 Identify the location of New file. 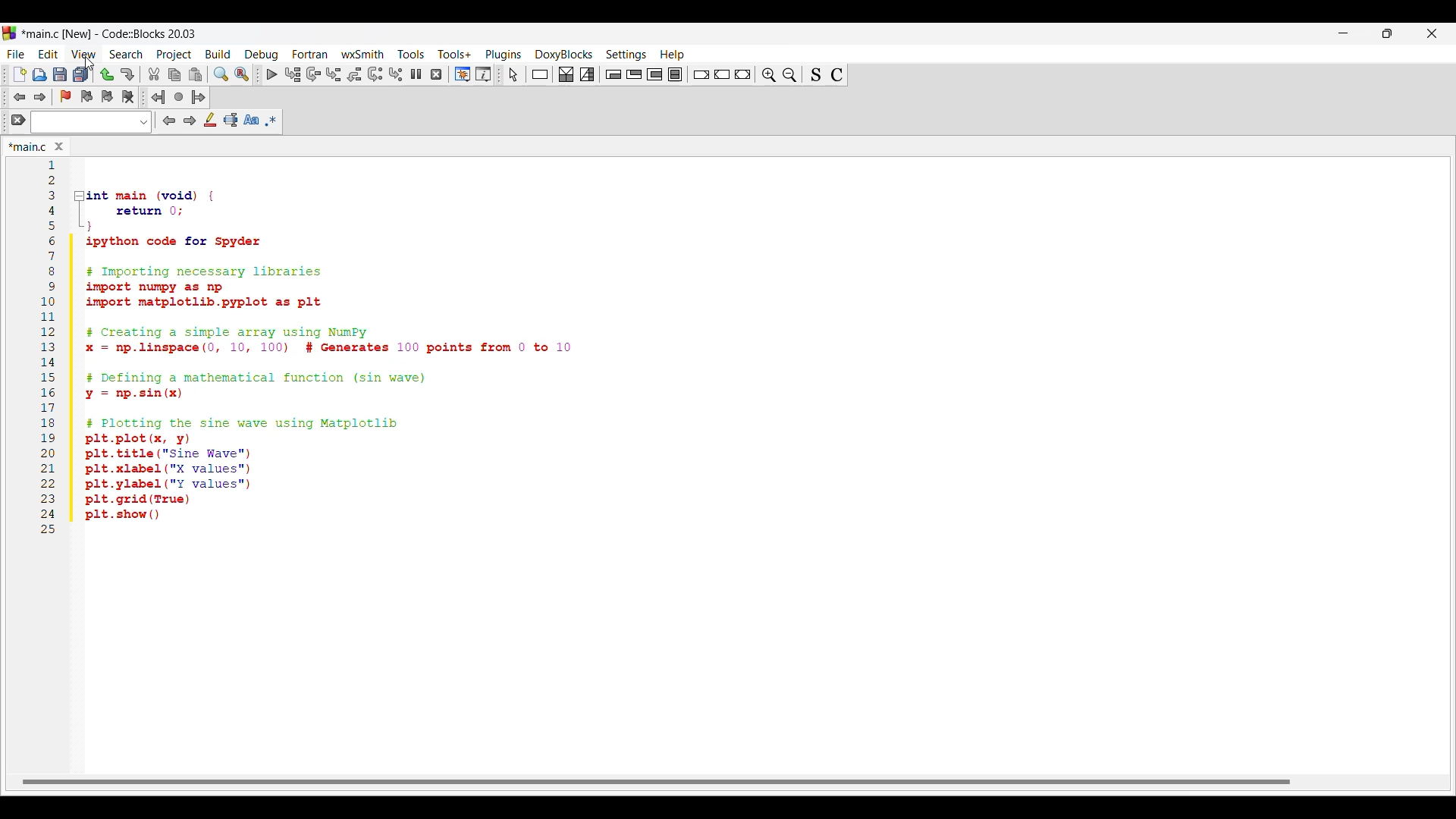
(19, 74).